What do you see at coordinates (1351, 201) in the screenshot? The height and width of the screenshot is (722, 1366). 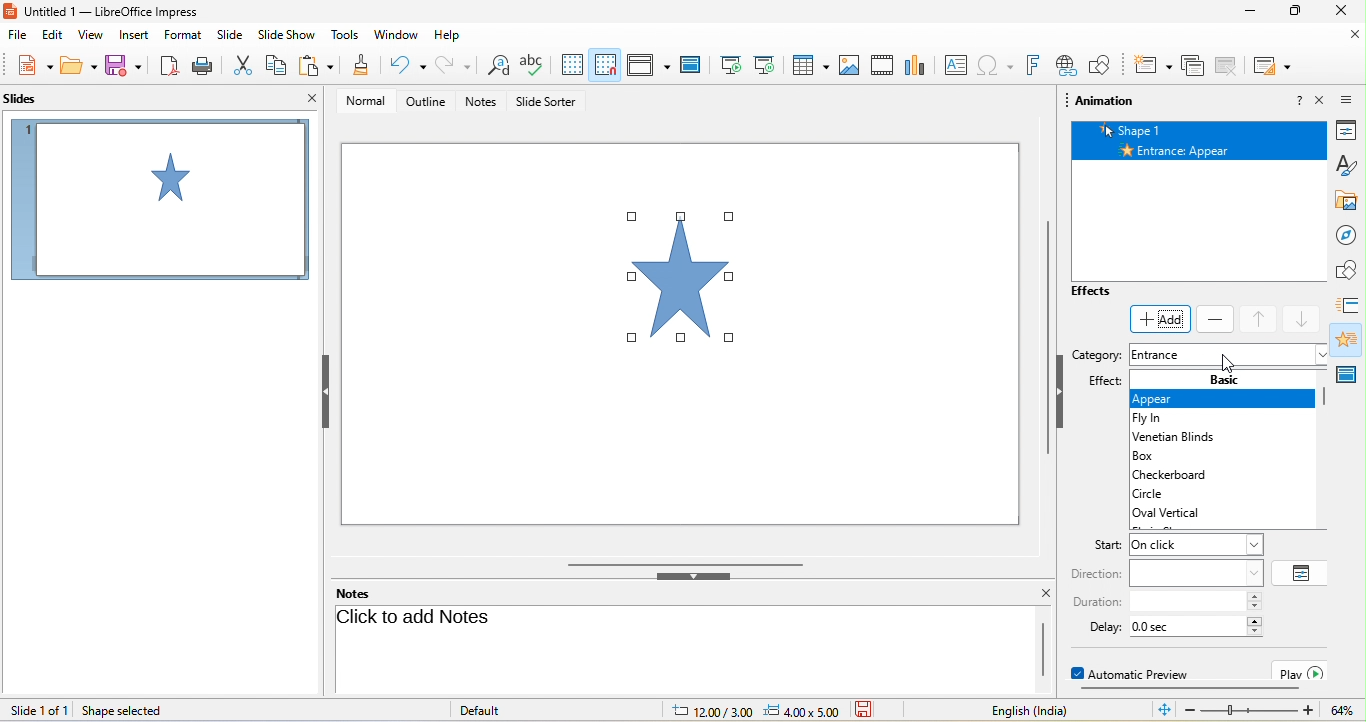 I see `gallery` at bounding box center [1351, 201].